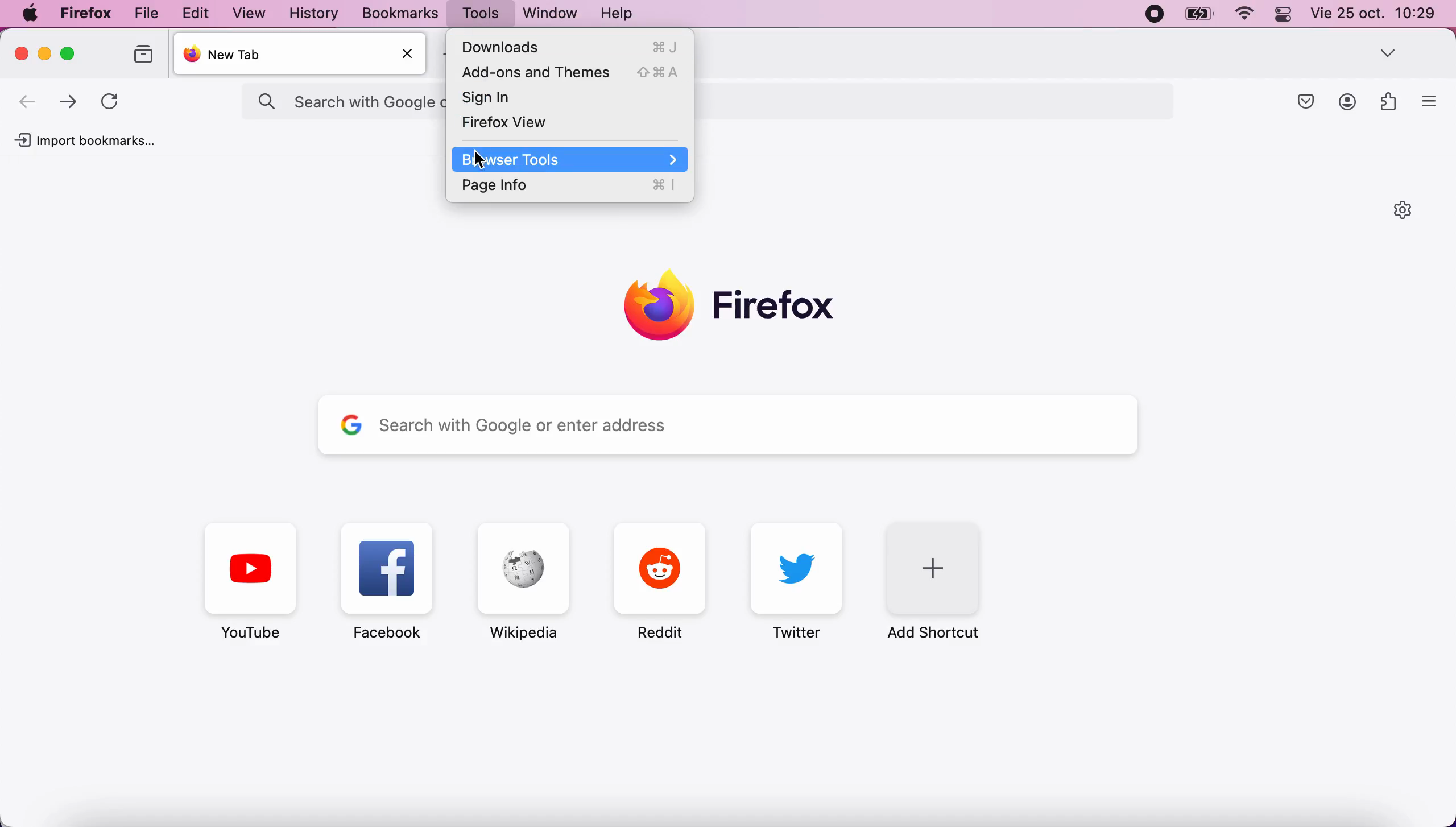 This screenshot has height=827, width=1456. I want to click on Firefox View, so click(572, 124).